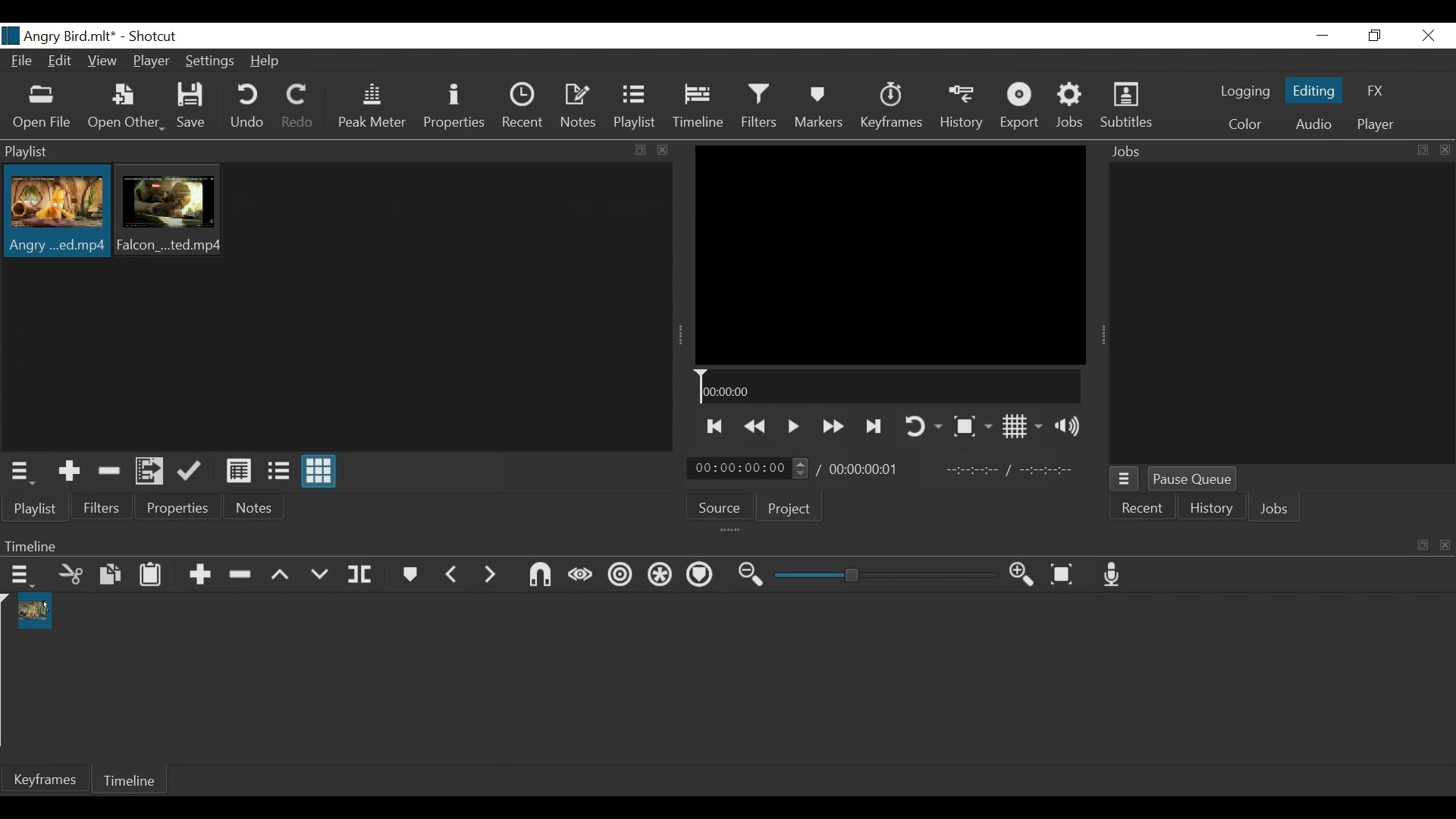 The image size is (1456, 819). Describe the element at coordinates (42, 109) in the screenshot. I see `Open Other File` at that location.